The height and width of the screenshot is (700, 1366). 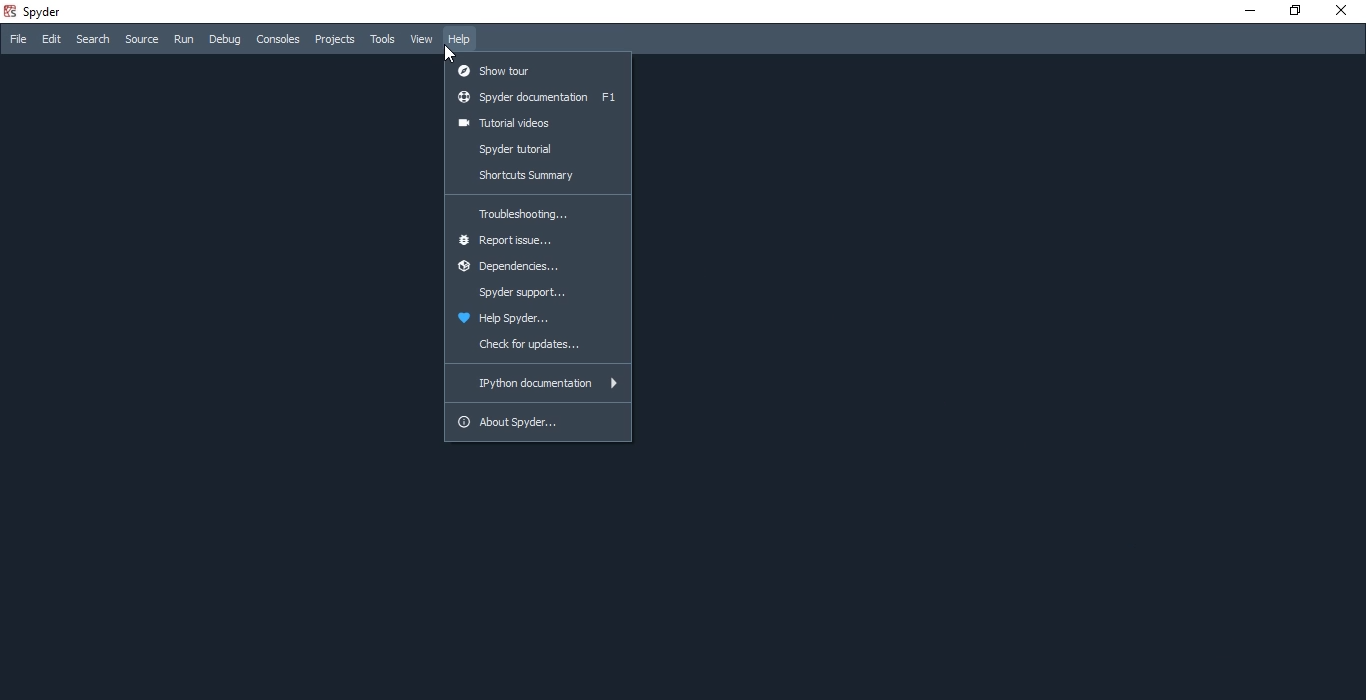 What do you see at coordinates (537, 290) in the screenshot?
I see `spyder support` at bounding box center [537, 290].